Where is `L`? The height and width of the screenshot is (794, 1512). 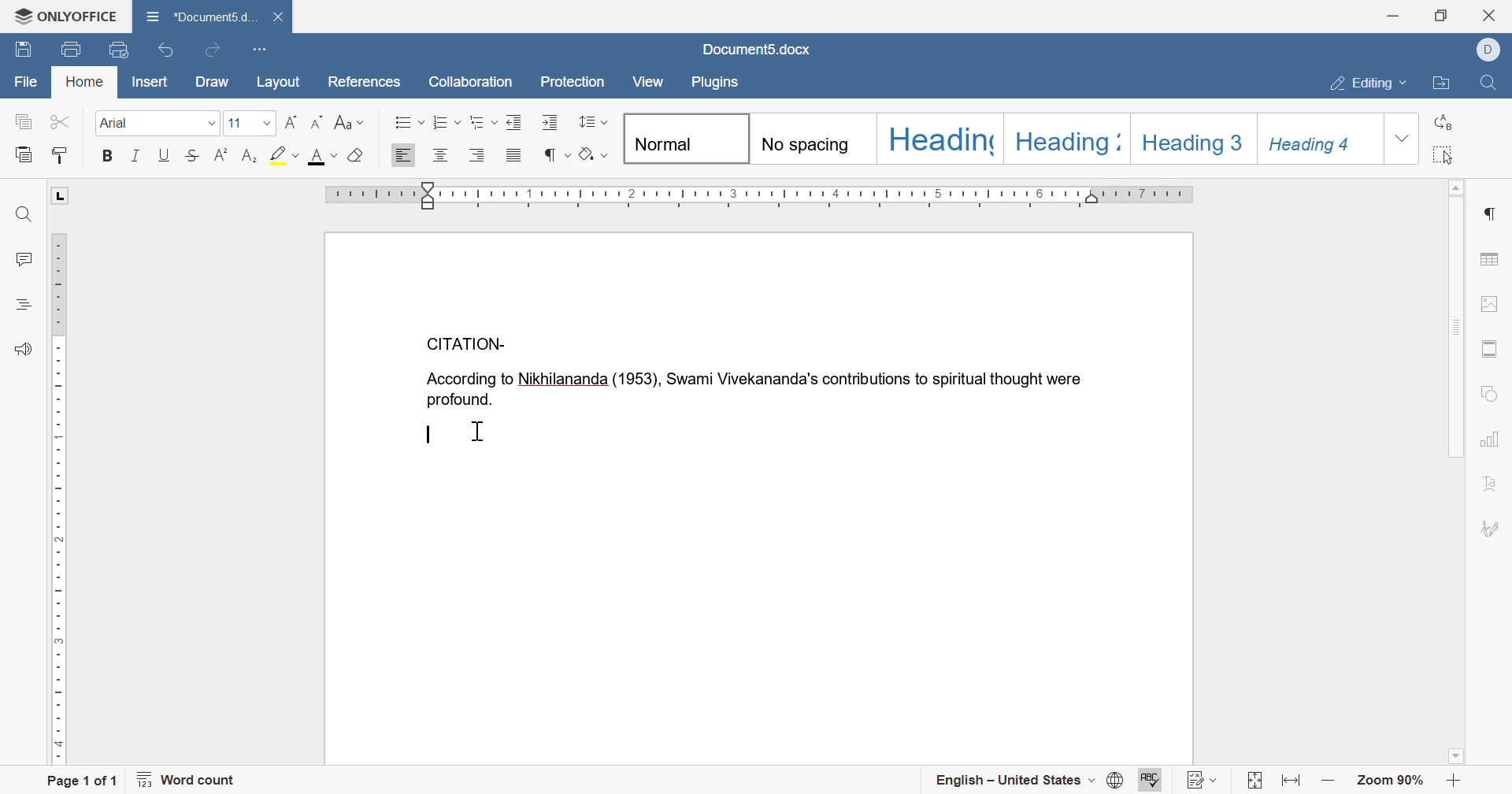
L is located at coordinates (60, 196).